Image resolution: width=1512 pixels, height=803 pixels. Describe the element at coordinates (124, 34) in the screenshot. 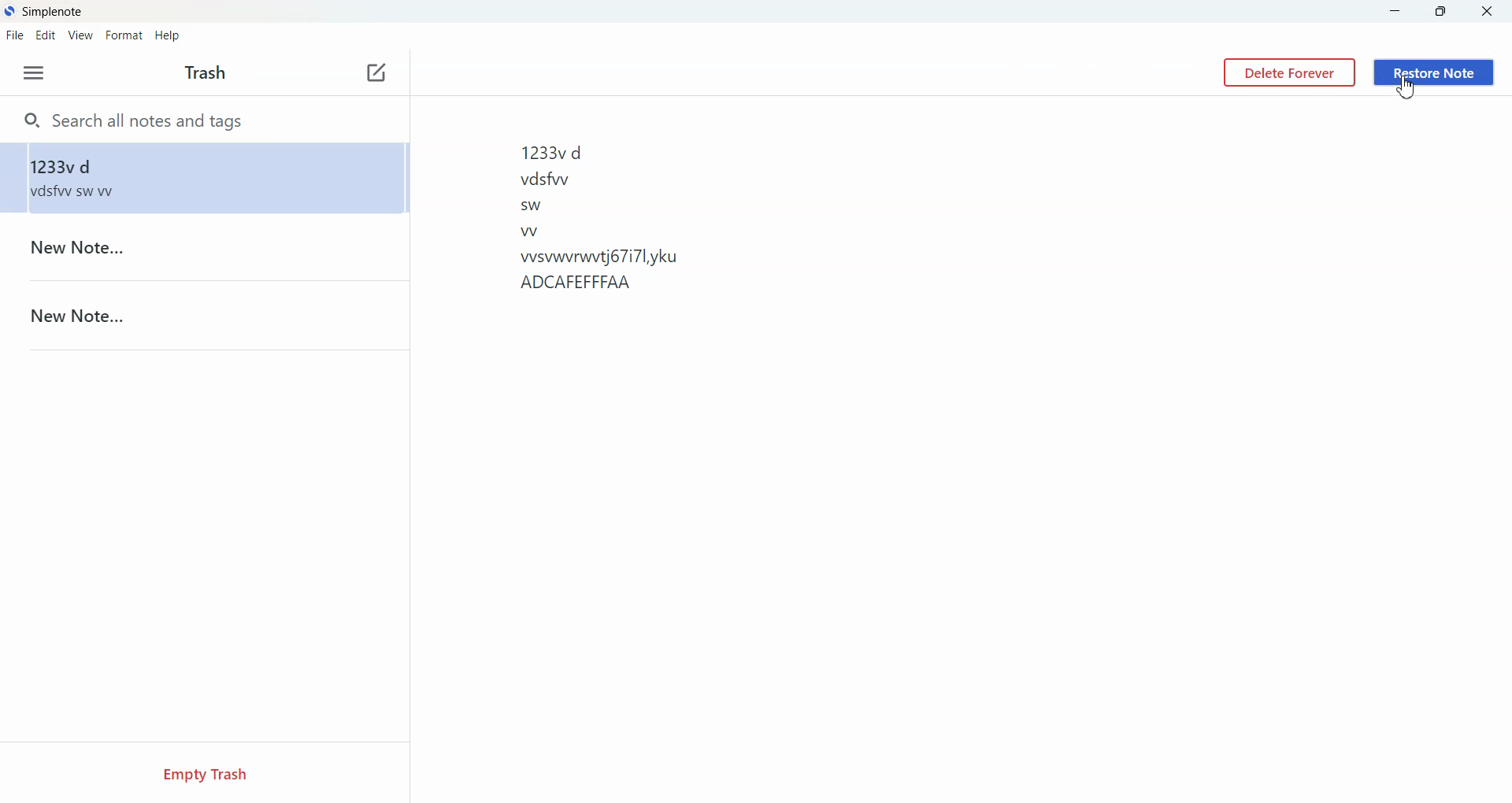

I see `Format` at that location.